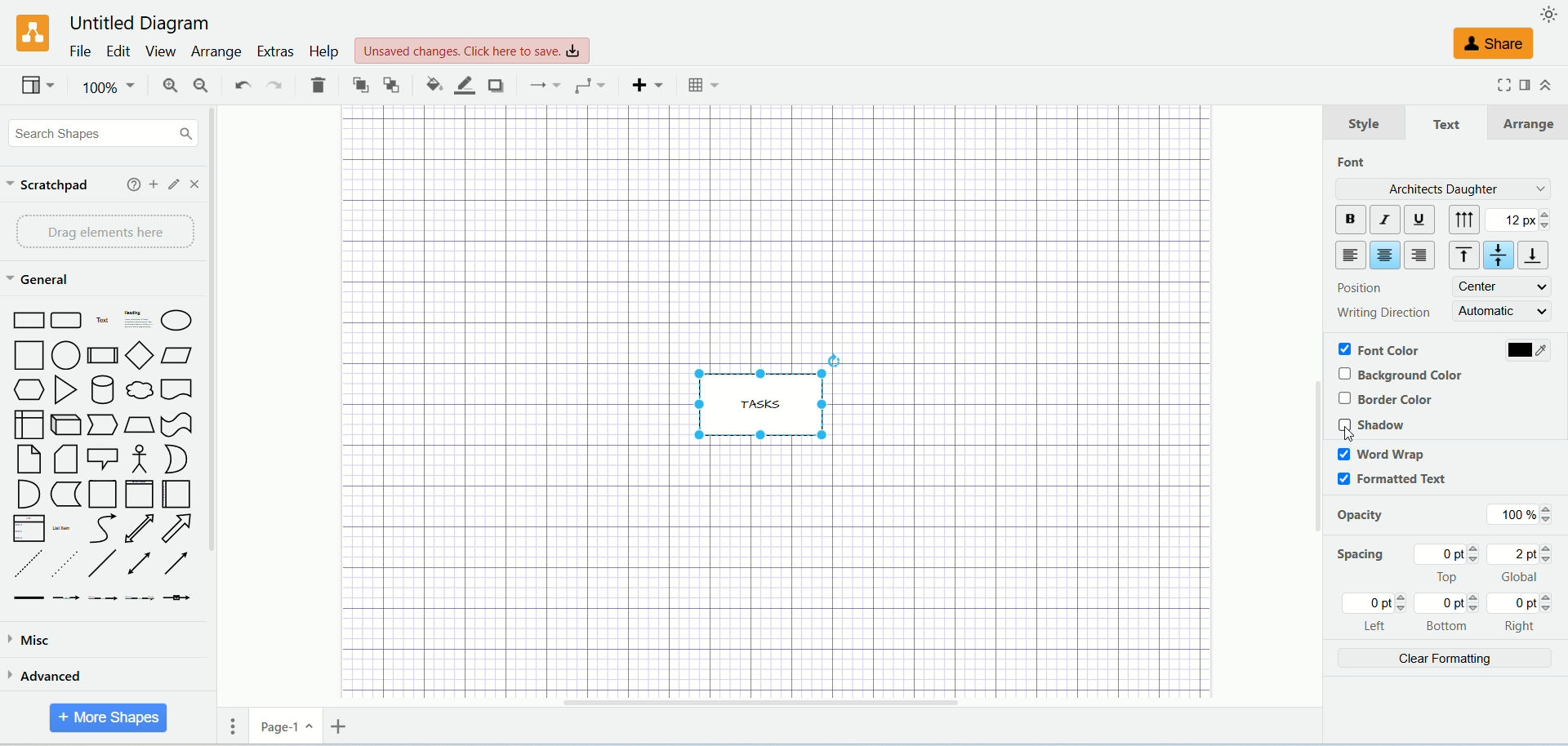 The height and width of the screenshot is (746, 1568). What do you see at coordinates (1378, 613) in the screenshot?
I see `left` at bounding box center [1378, 613].